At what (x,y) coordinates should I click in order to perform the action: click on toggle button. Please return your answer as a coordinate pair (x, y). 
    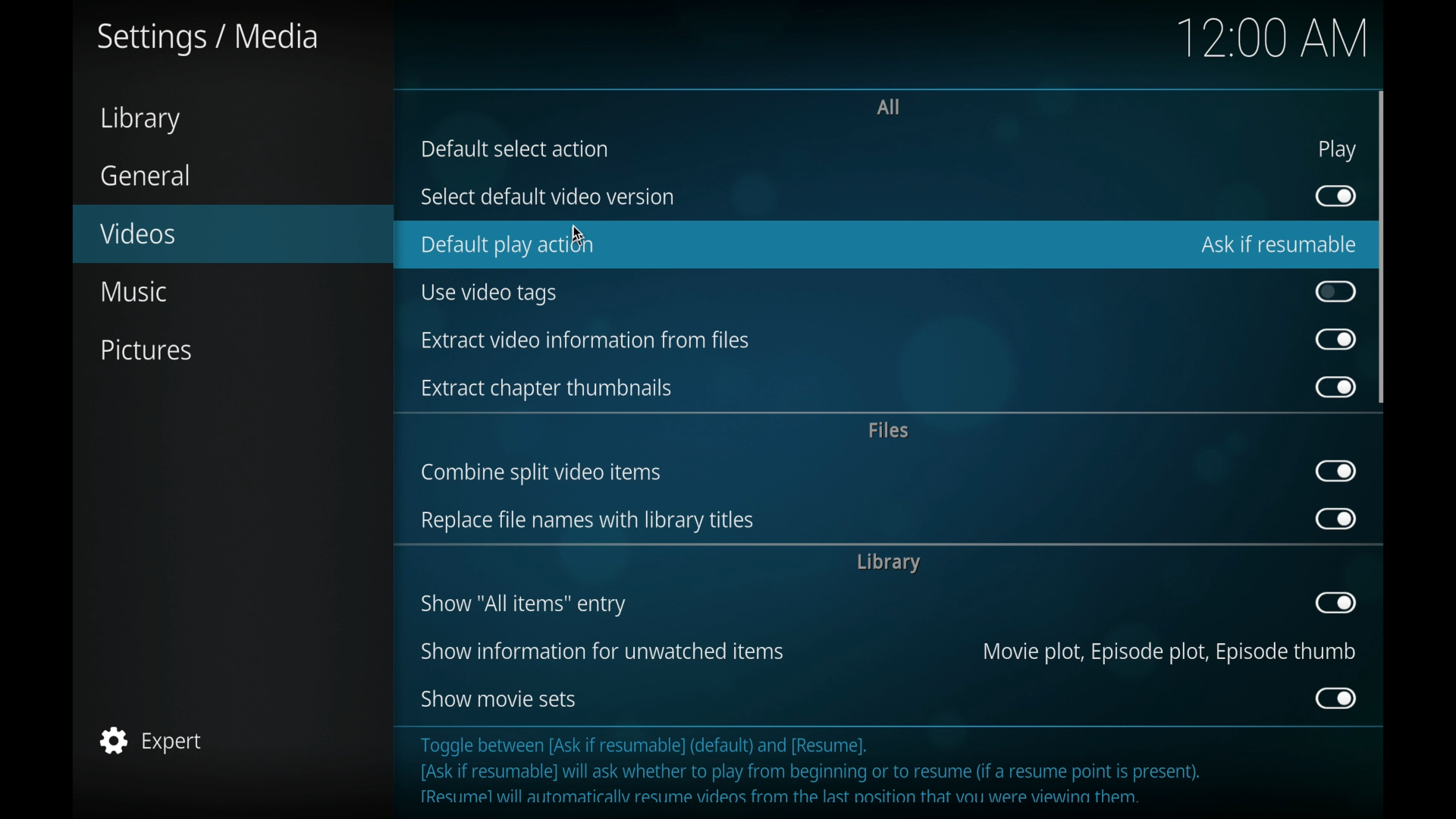
    Looking at the image, I should click on (1337, 602).